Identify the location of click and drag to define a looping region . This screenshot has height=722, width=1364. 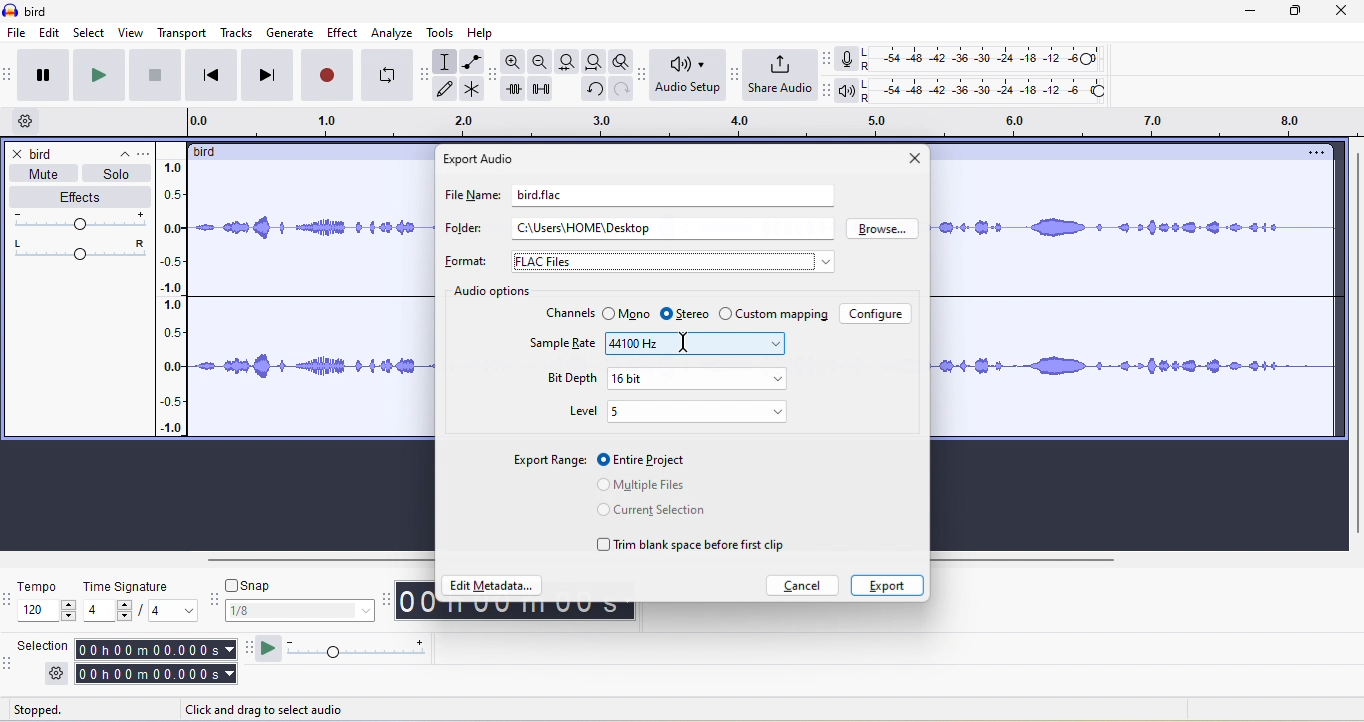
(763, 123).